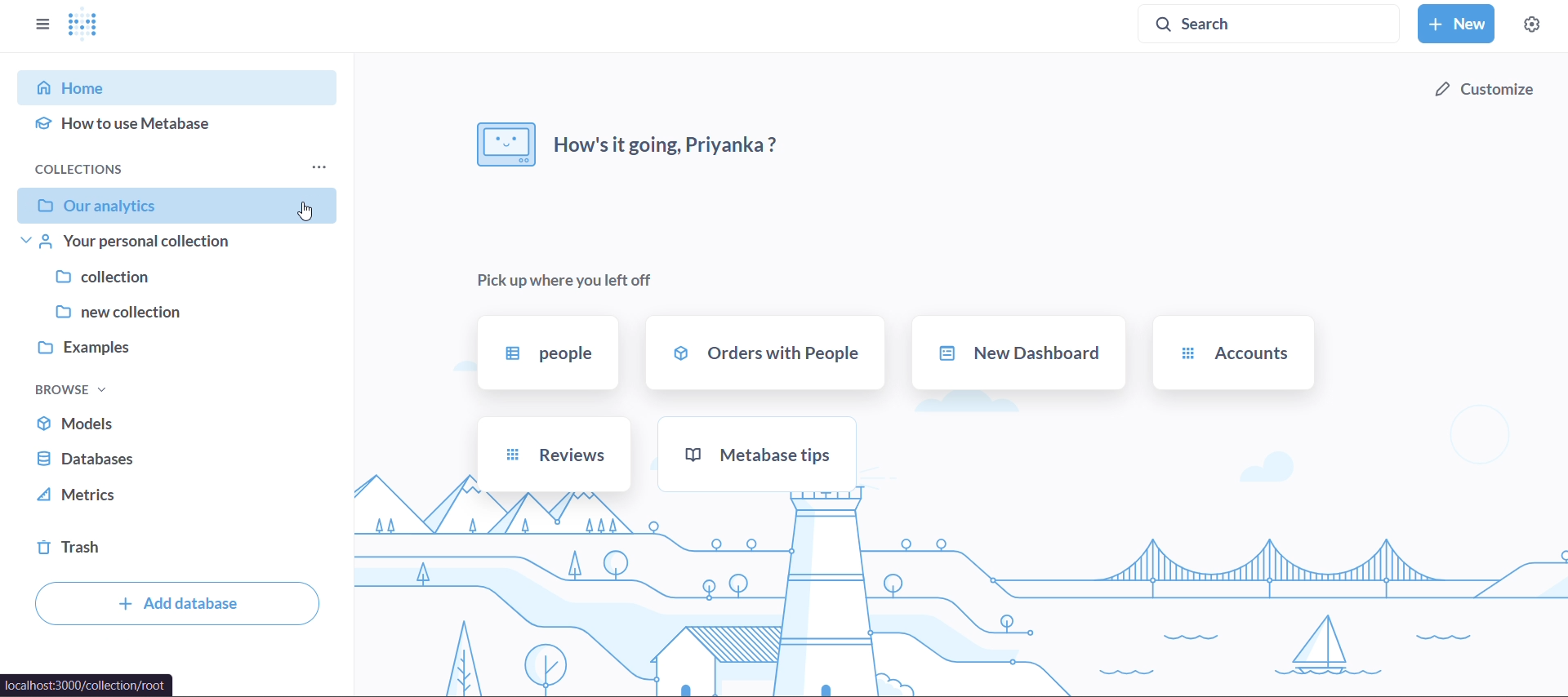  What do you see at coordinates (88, 24) in the screenshot?
I see `logo` at bounding box center [88, 24].